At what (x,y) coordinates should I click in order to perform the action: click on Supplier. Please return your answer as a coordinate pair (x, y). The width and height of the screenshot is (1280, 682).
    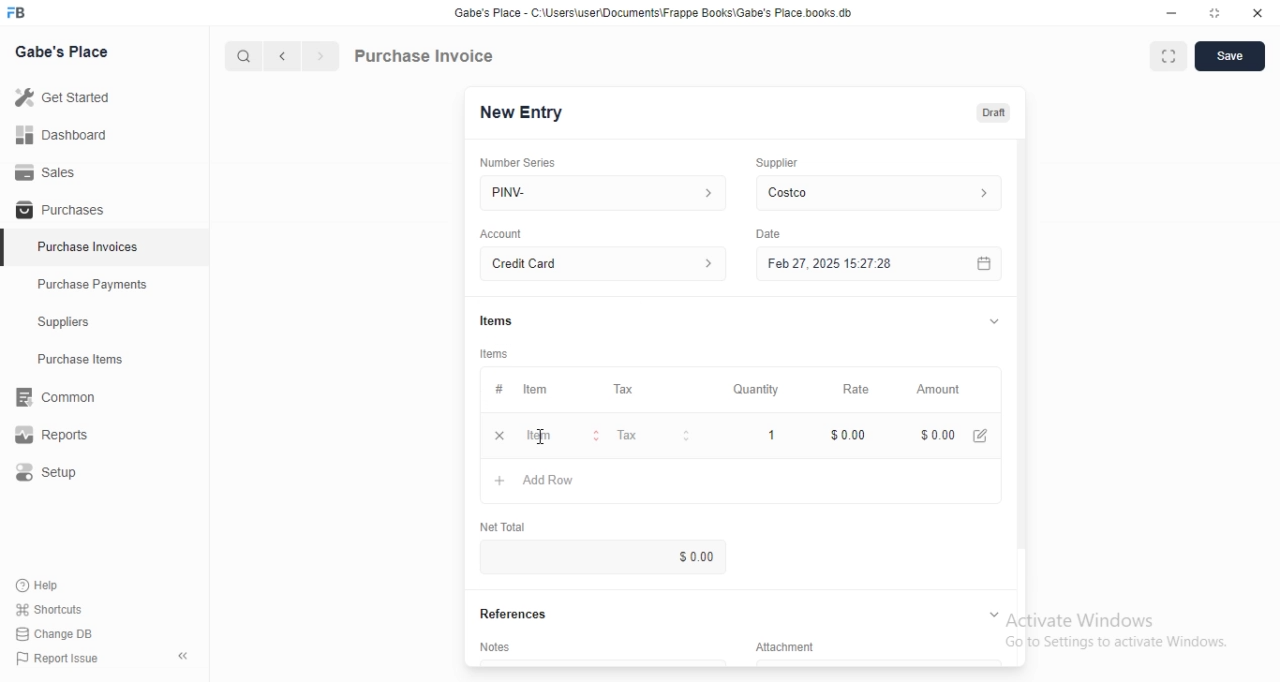
    Looking at the image, I should click on (777, 163).